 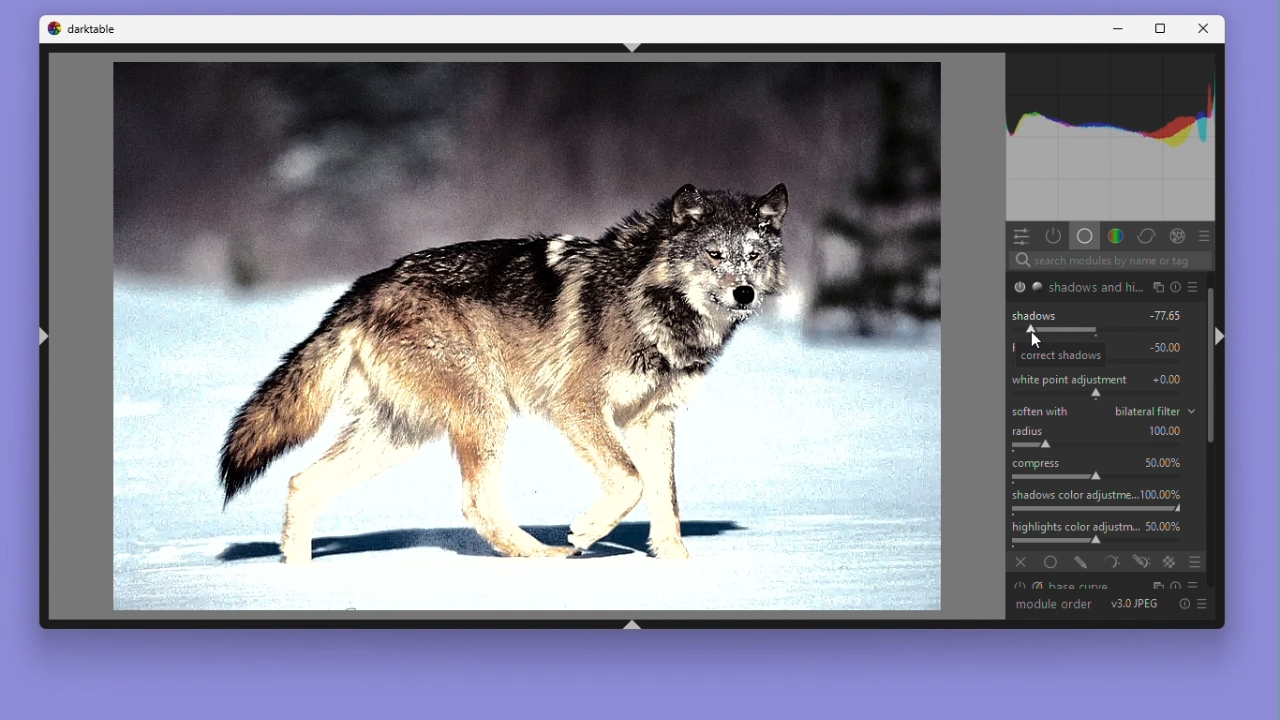 What do you see at coordinates (1114, 235) in the screenshot?
I see `Colours` at bounding box center [1114, 235].